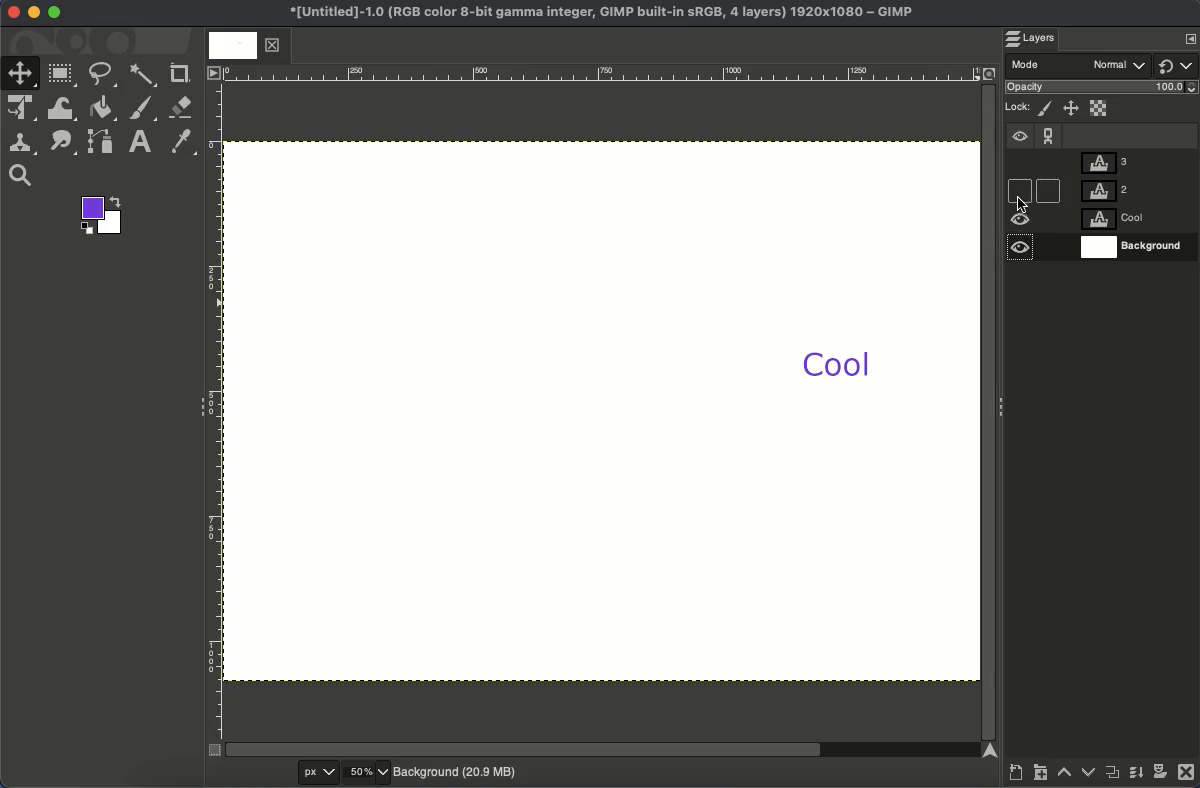 The image size is (1200, 788). Describe the element at coordinates (1015, 775) in the screenshot. I see `Create a new layer` at that location.